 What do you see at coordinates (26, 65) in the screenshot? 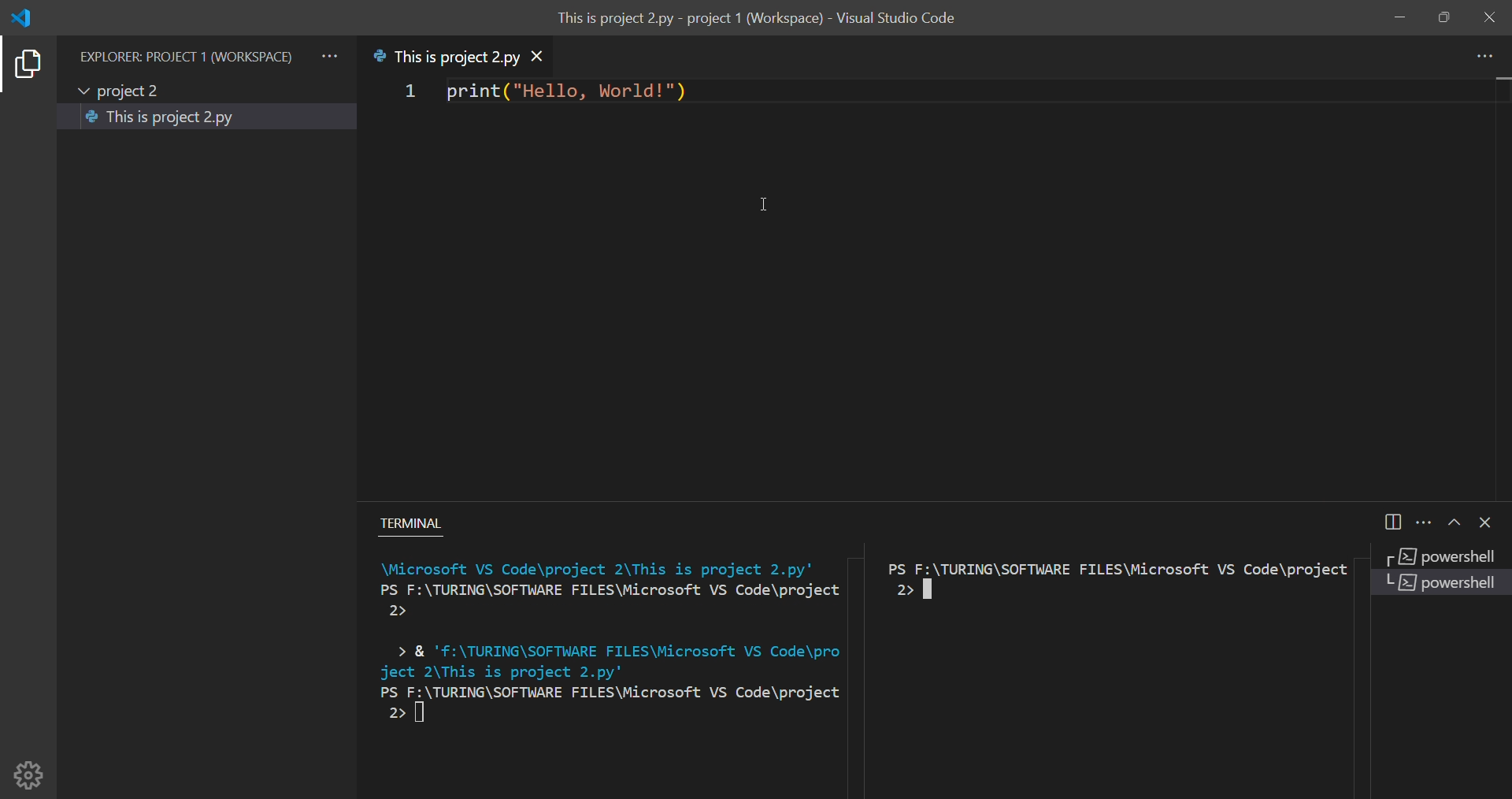
I see `explorer` at bounding box center [26, 65].